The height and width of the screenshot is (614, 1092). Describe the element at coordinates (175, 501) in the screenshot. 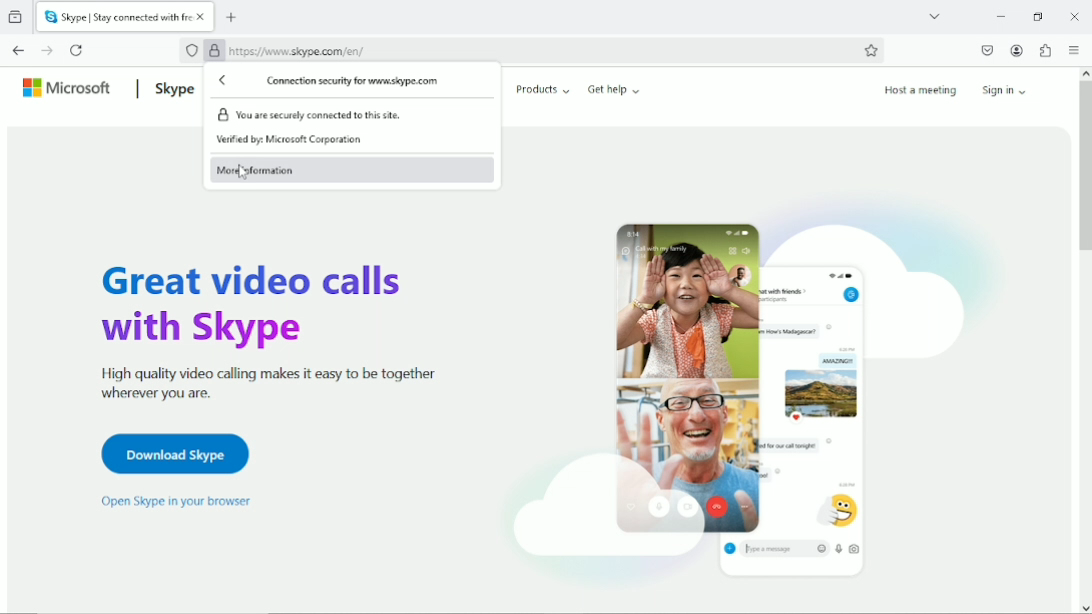

I see `open skype in your browser` at that location.